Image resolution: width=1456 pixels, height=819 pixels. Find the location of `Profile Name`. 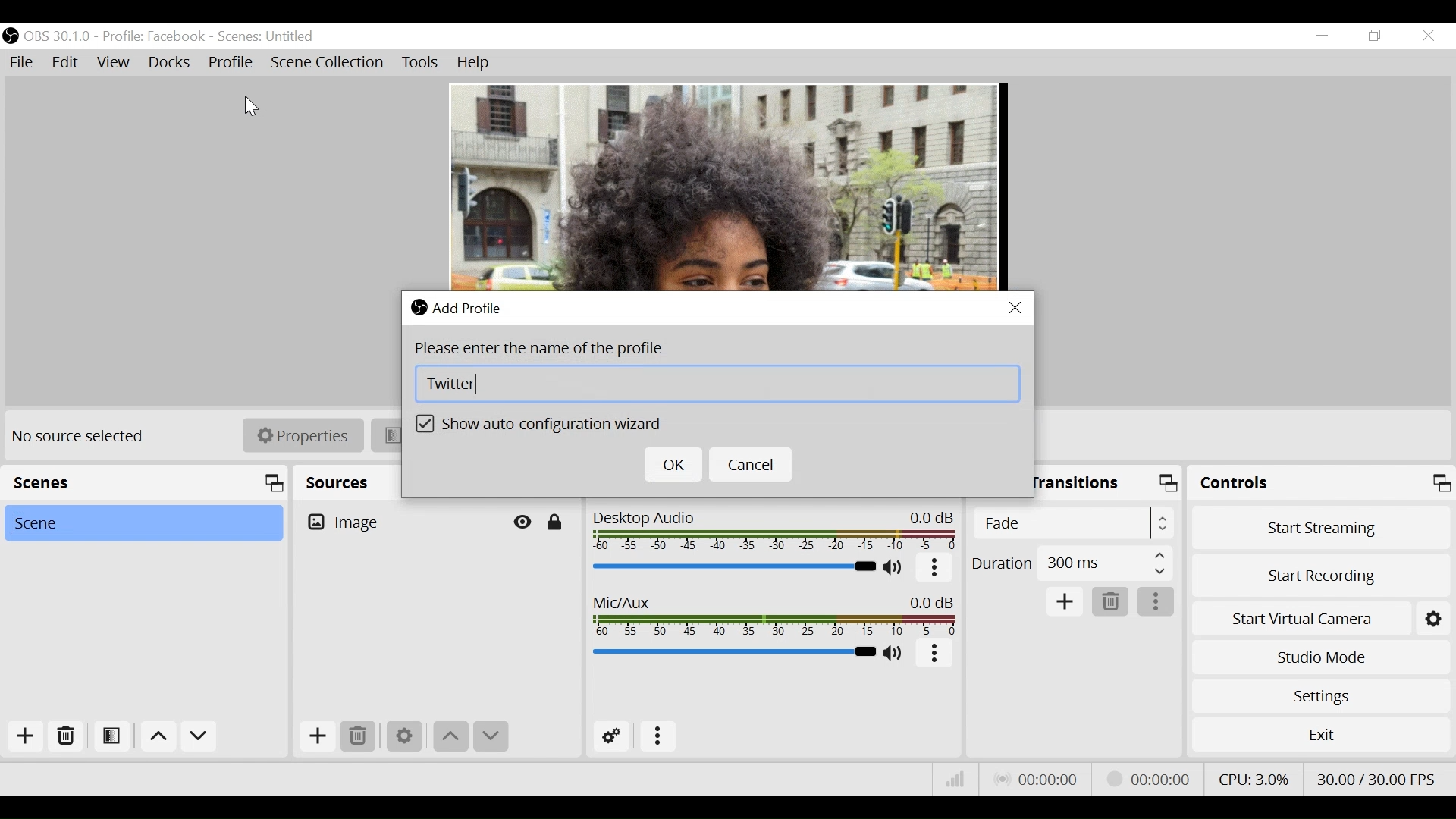

Profile Name is located at coordinates (153, 37).